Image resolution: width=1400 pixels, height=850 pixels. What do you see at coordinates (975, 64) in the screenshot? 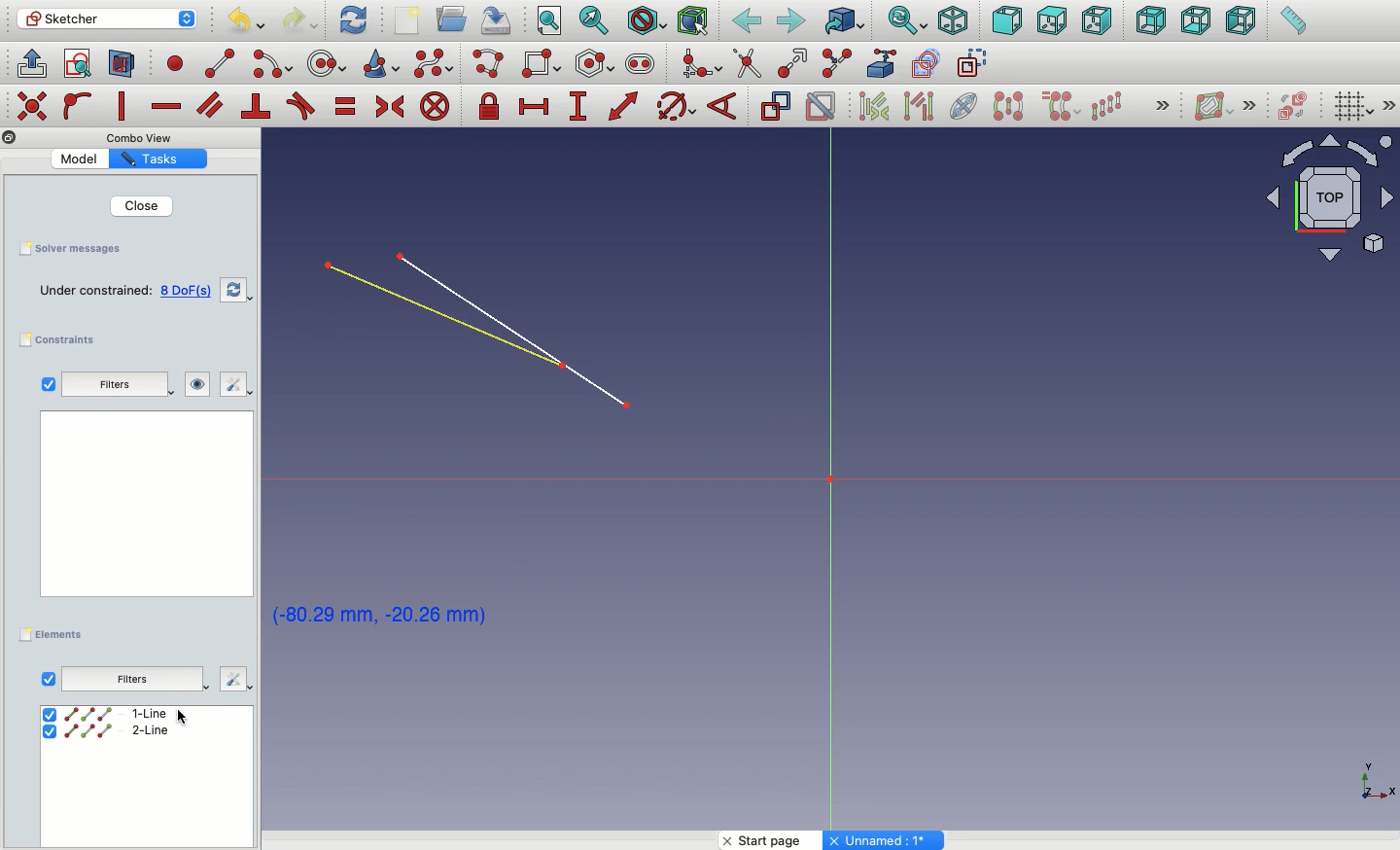
I see `construction geometry` at bounding box center [975, 64].